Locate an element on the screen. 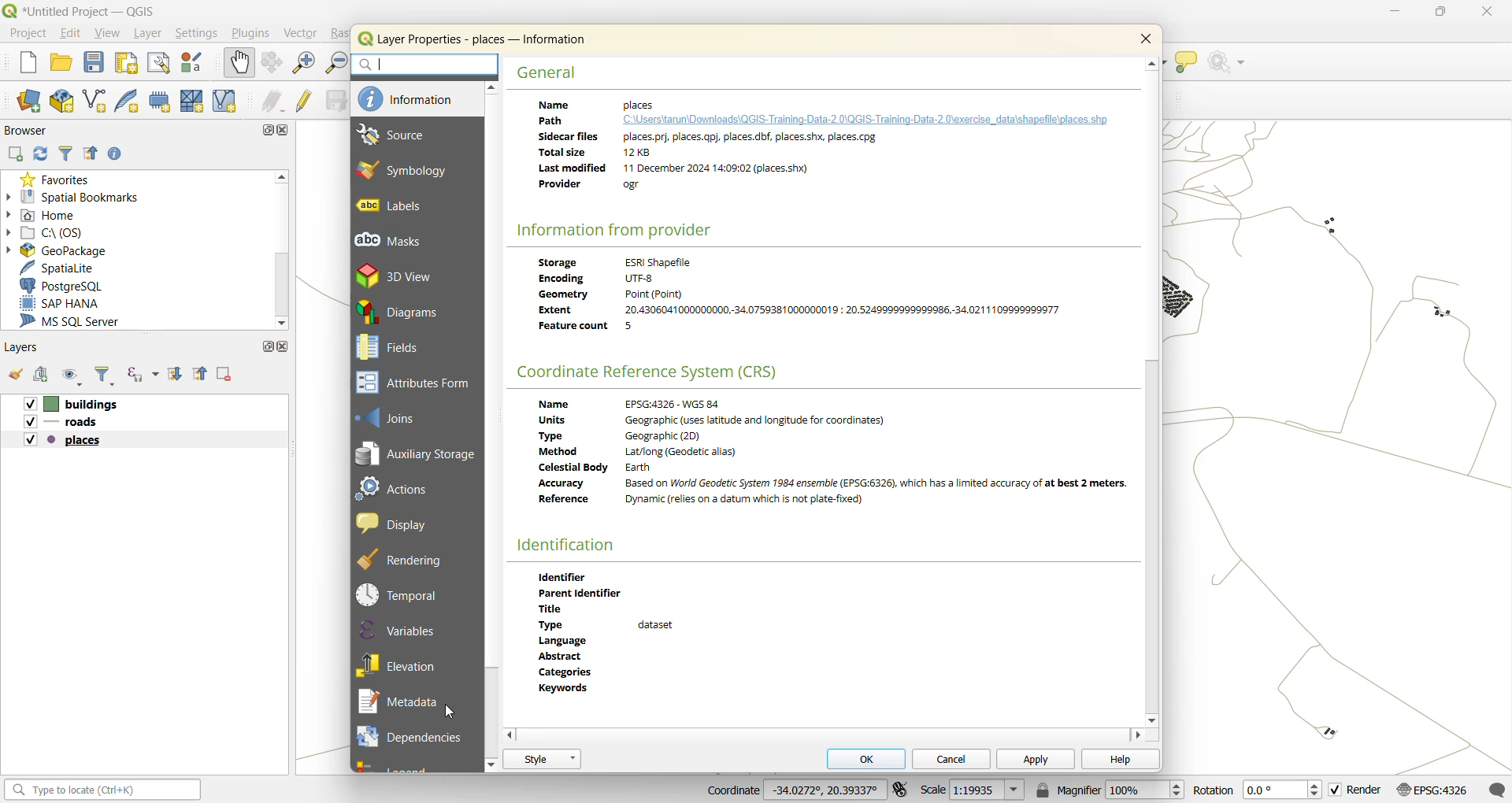 The height and width of the screenshot is (803, 1512). project is located at coordinates (28, 32).